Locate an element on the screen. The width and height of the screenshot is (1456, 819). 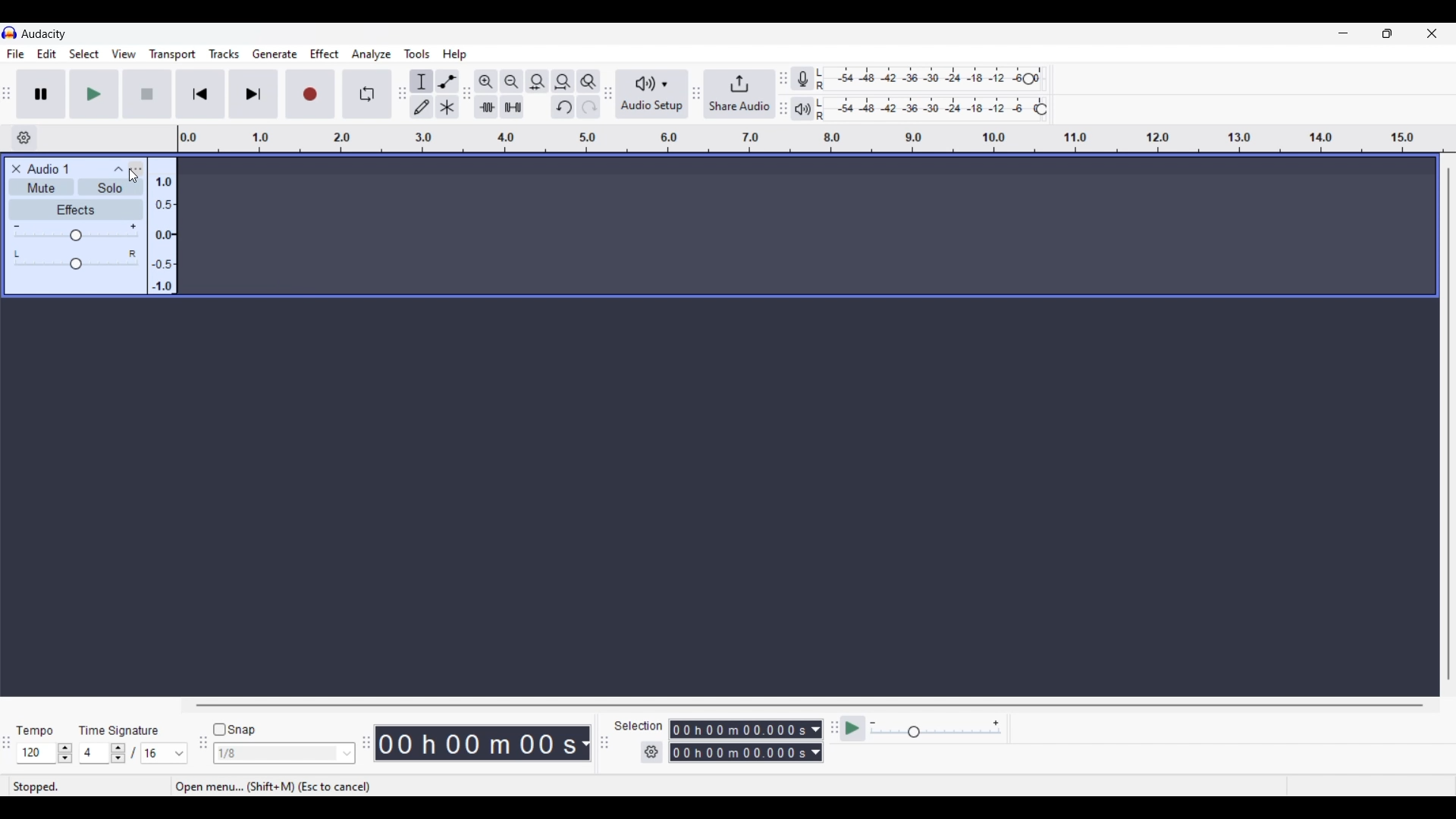
Increase/Decrease time signature is located at coordinates (118, 753).